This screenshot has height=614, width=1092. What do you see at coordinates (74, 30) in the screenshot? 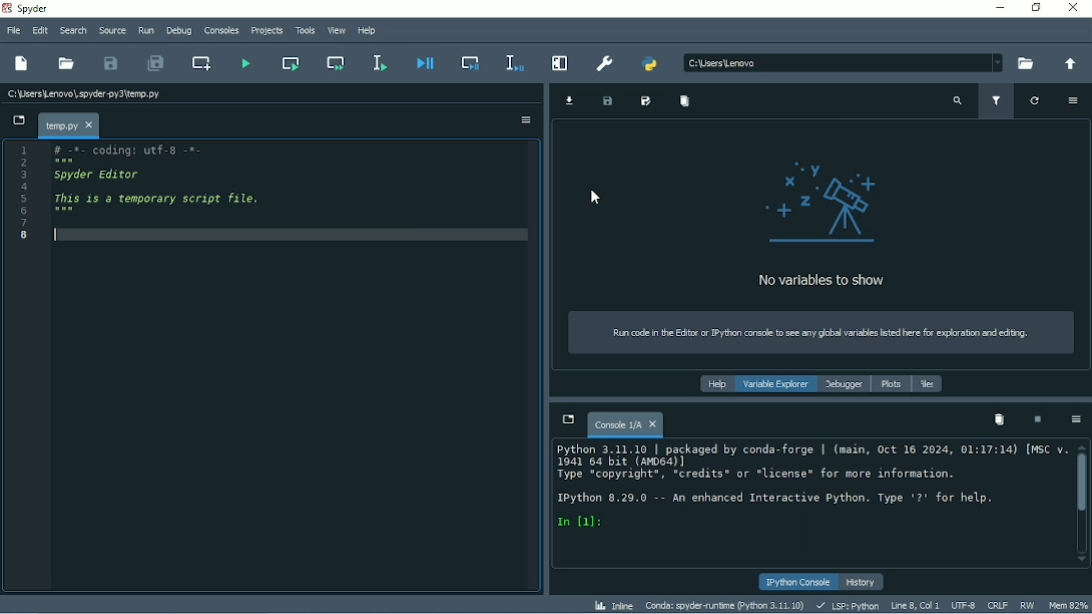
I see `Search` at bounding box center [74, 30].